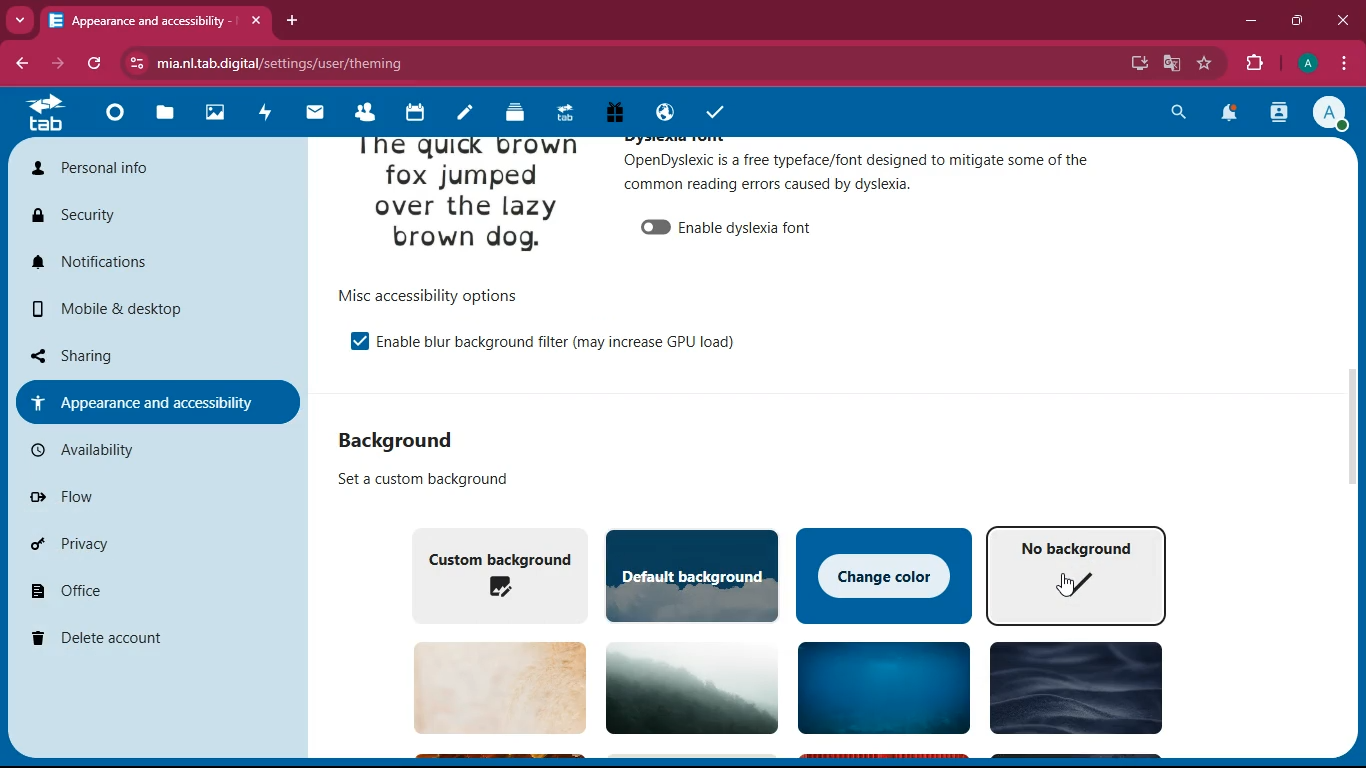 The width and height of the screenshot is (1366, 768). I want to click on tab, so click(561, 113).